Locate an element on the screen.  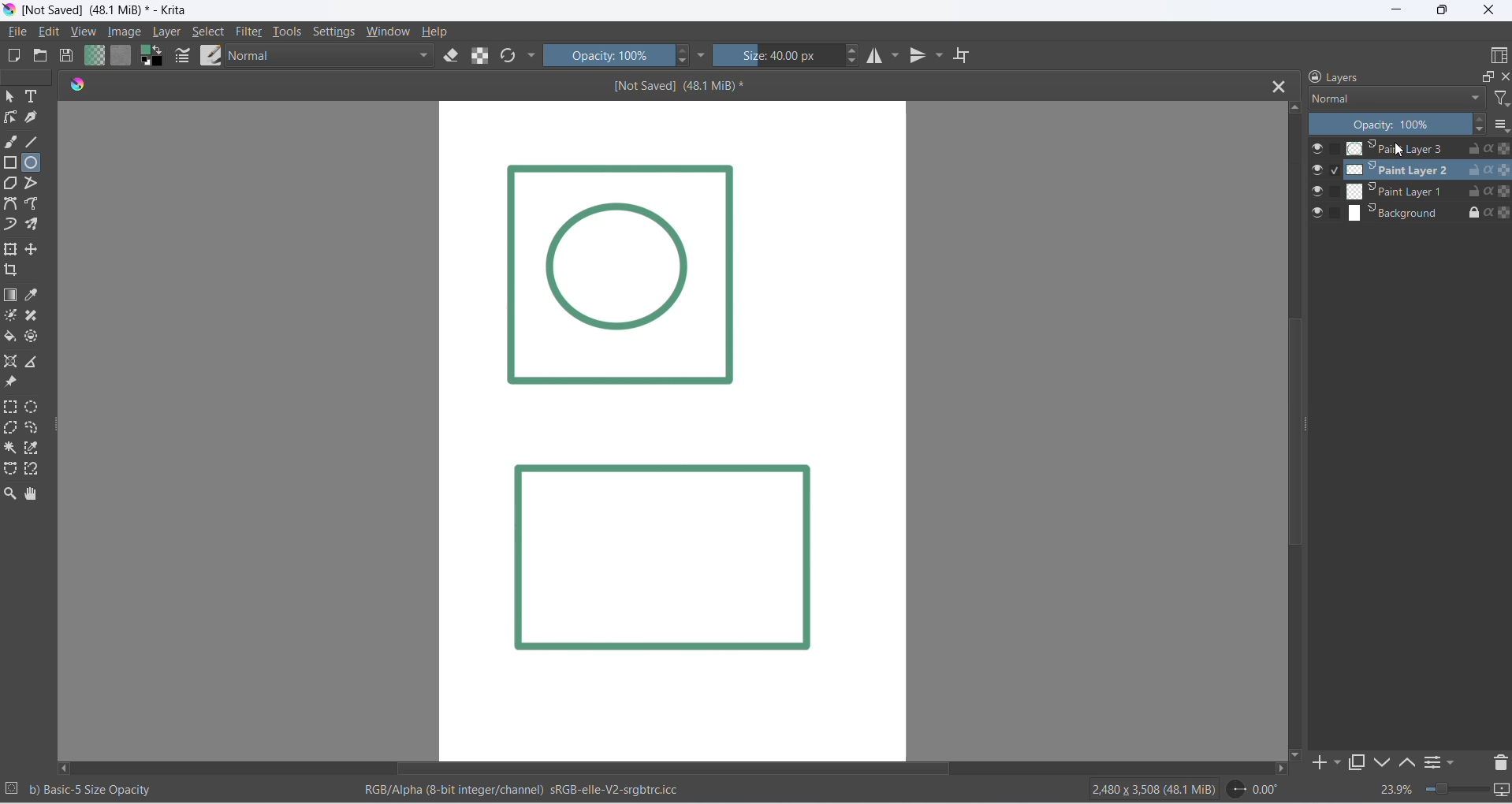
add to side pane is located at coordinates (1328, 762).